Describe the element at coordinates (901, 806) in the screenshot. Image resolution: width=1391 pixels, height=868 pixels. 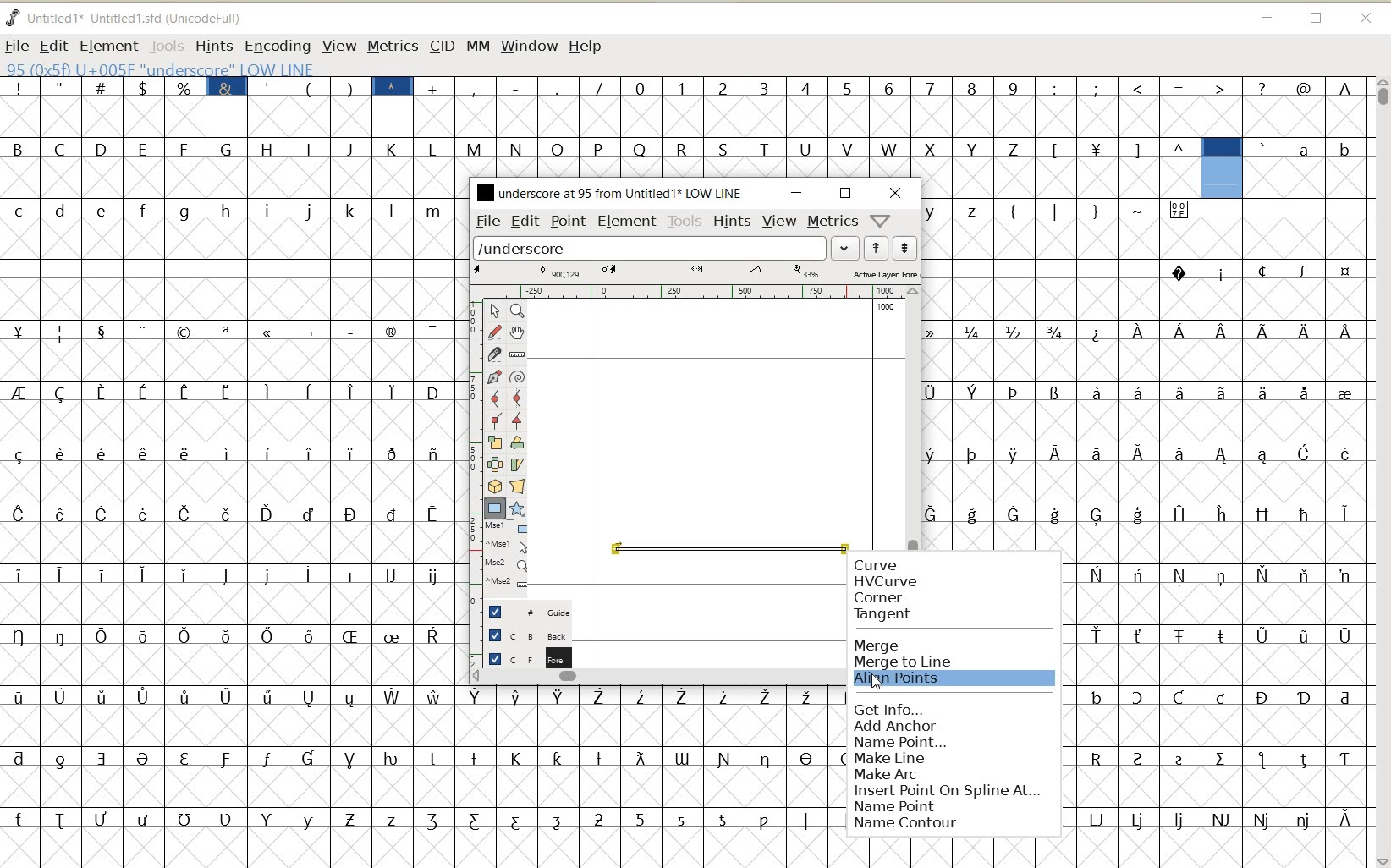
I see `NAME POINT` at that location.